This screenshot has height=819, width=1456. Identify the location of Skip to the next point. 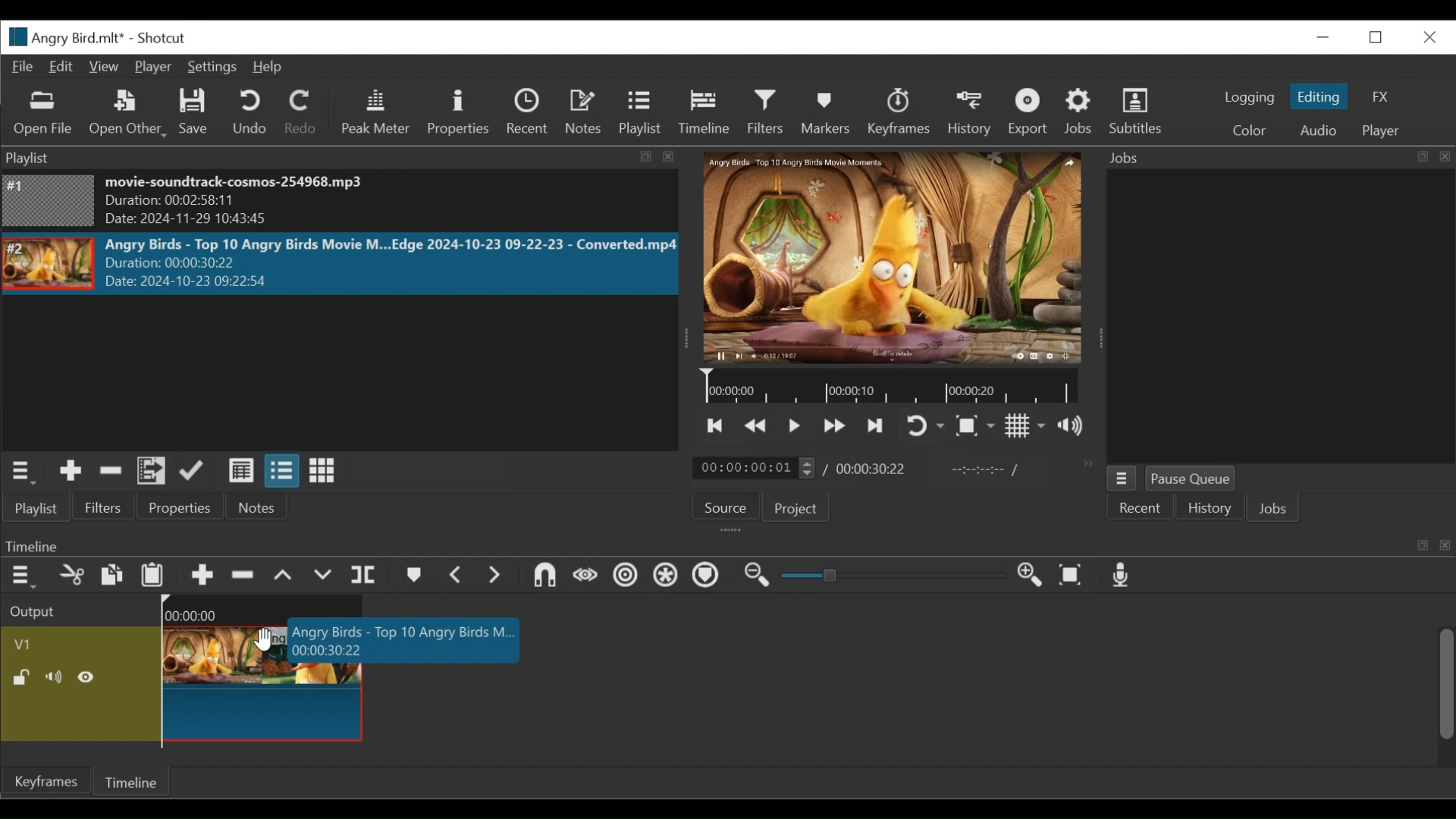
(717, 426).